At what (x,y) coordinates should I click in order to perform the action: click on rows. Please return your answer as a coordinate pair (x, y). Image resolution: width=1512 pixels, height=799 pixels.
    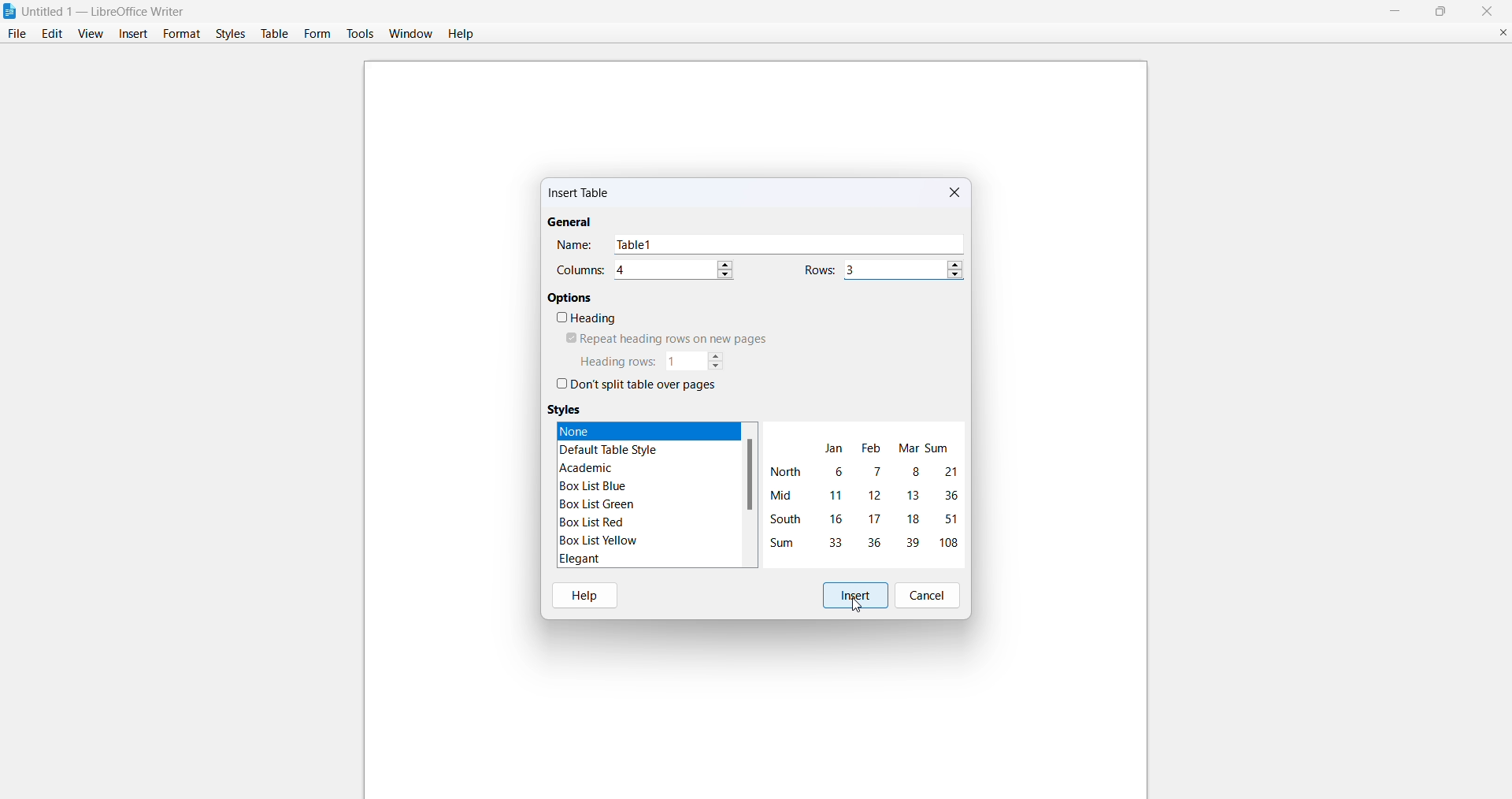
    Looking at the image, I should click on (820, 269).